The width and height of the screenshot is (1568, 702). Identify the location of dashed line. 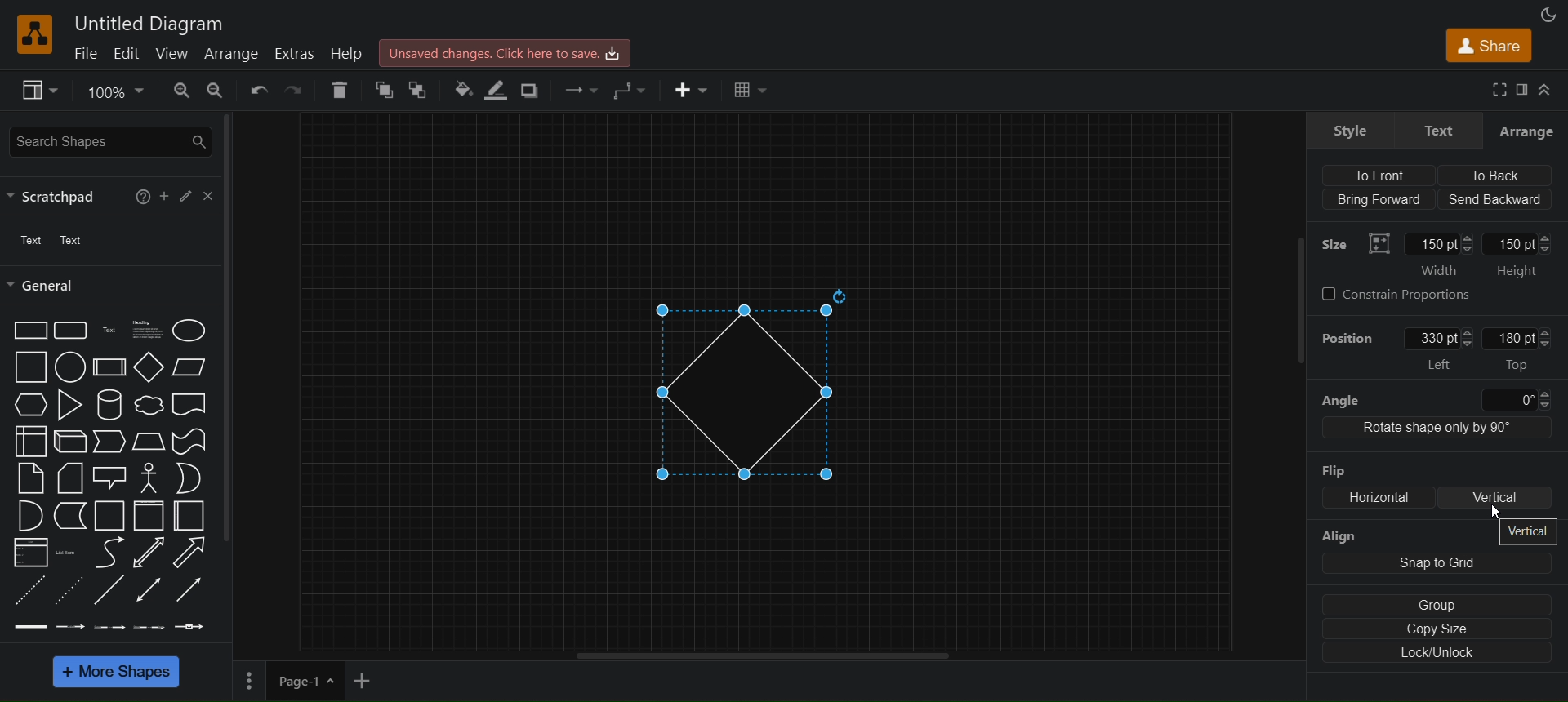
(29, 589).